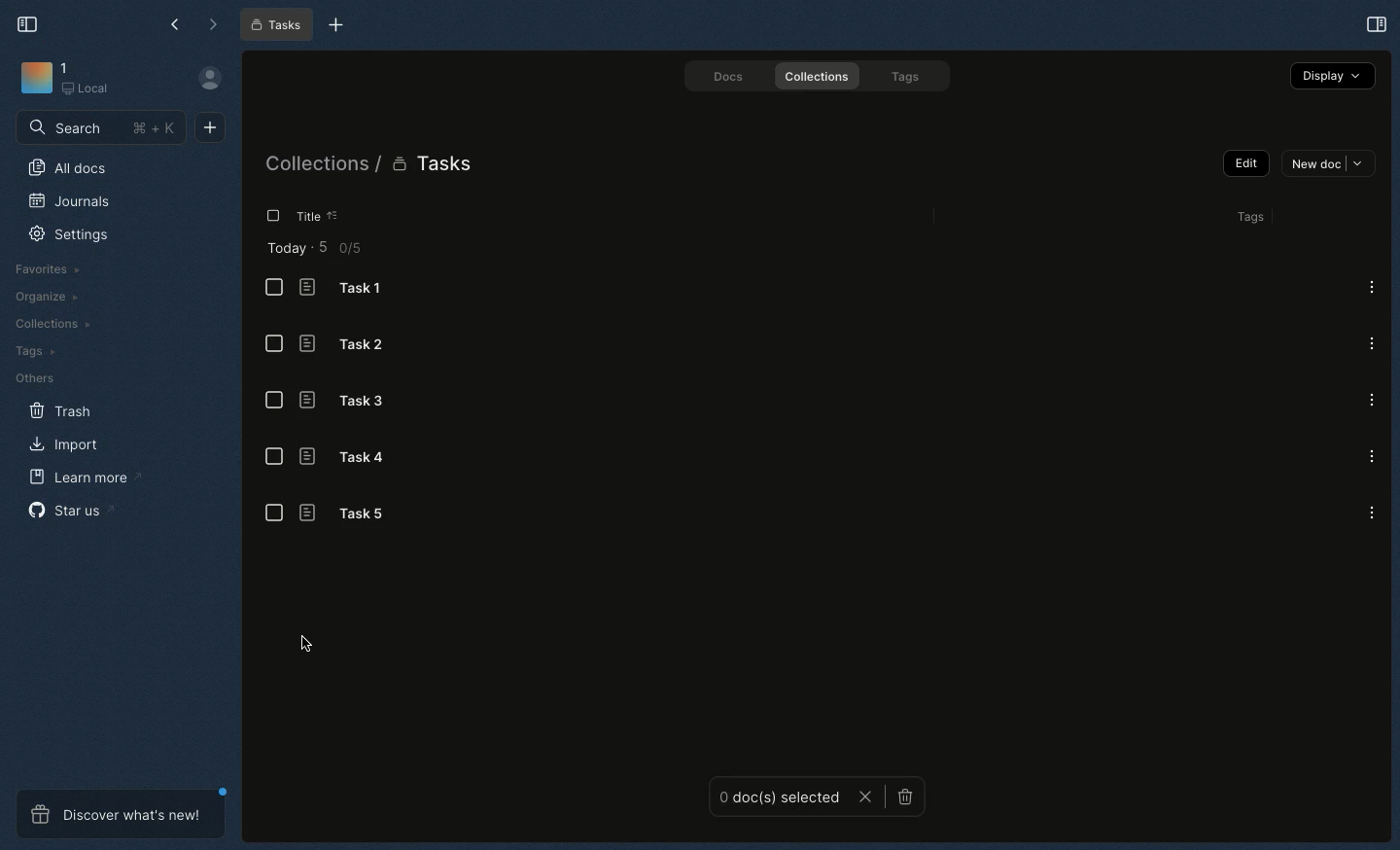 The height and width of the screenshot is (850, 1400). I want to click on Title, so click(317, 217).